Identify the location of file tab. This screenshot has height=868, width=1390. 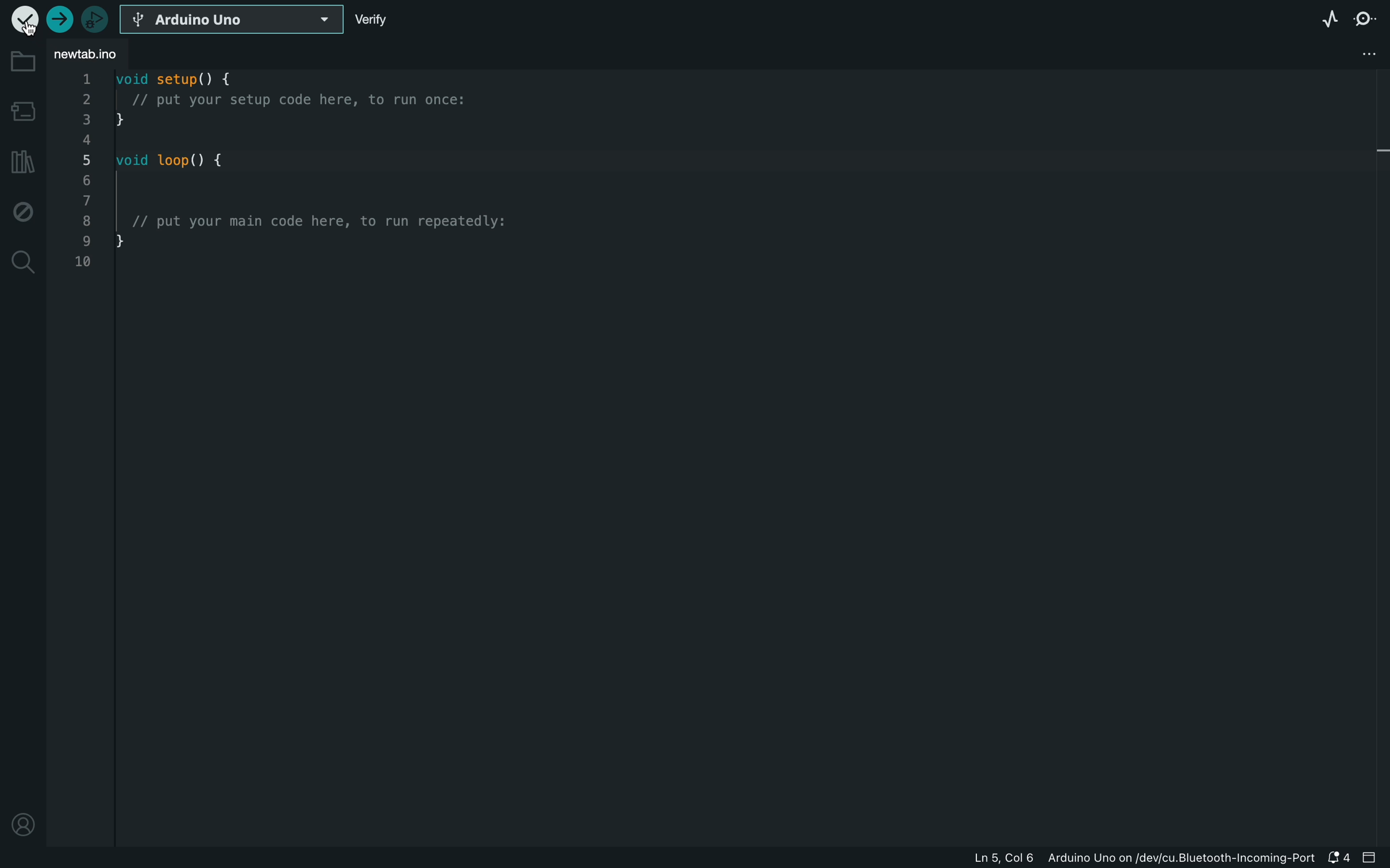
(94, 53).